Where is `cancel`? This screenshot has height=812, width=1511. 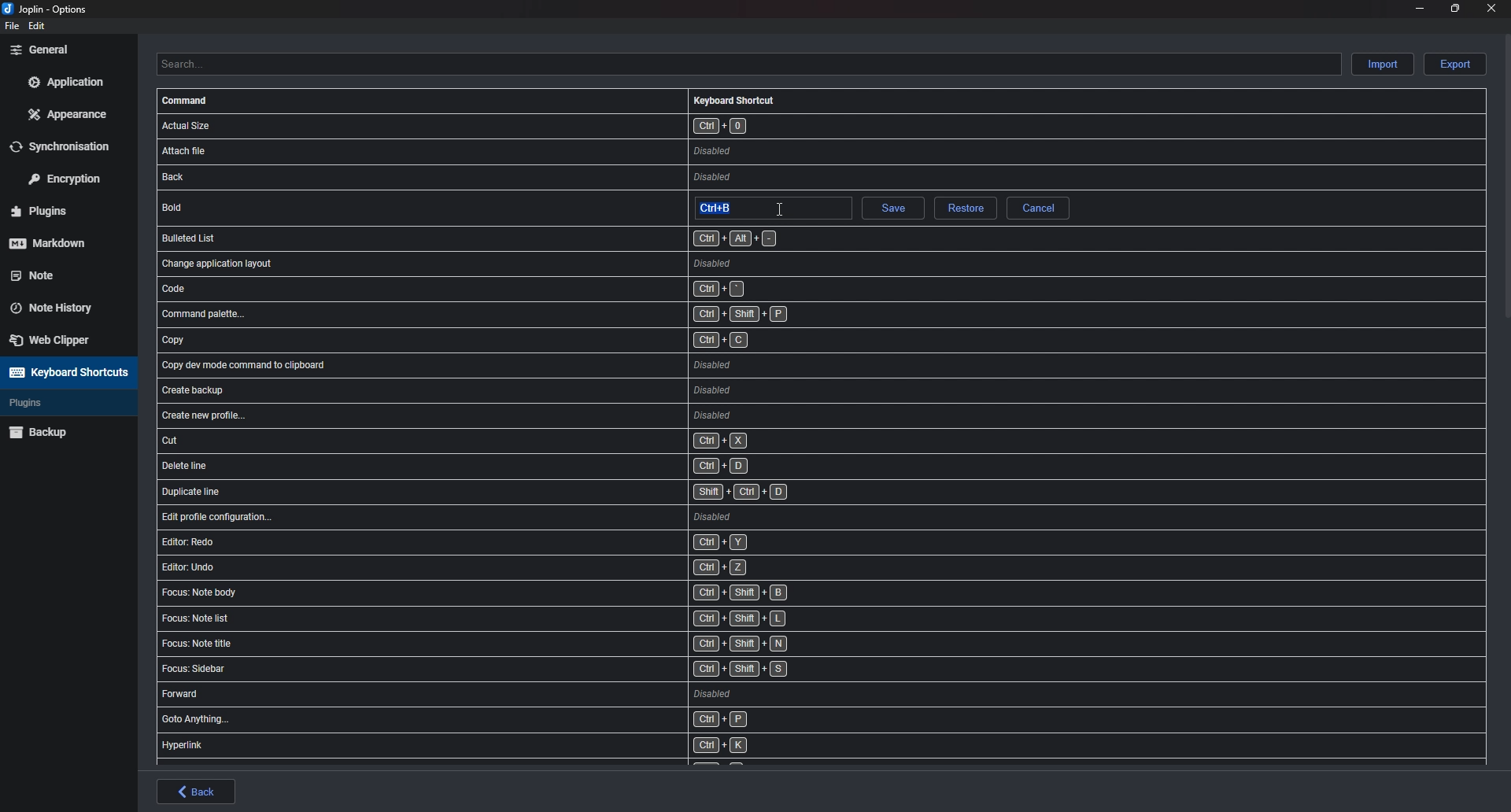 cancel is located at coordinates (1038, 208).